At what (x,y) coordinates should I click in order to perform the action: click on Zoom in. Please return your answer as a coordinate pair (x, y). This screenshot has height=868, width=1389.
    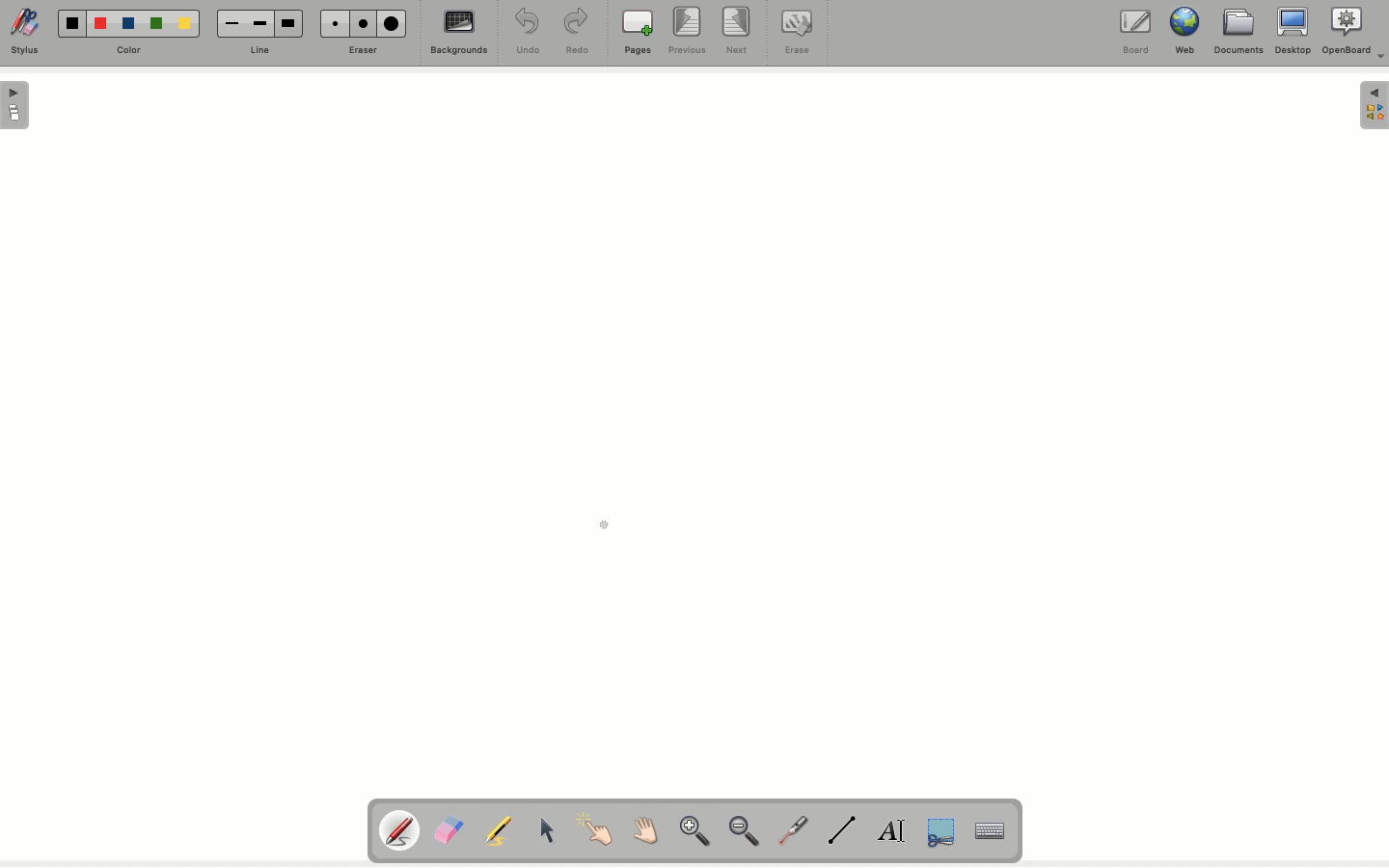
    Looking at the image, I should click on (694, 832).